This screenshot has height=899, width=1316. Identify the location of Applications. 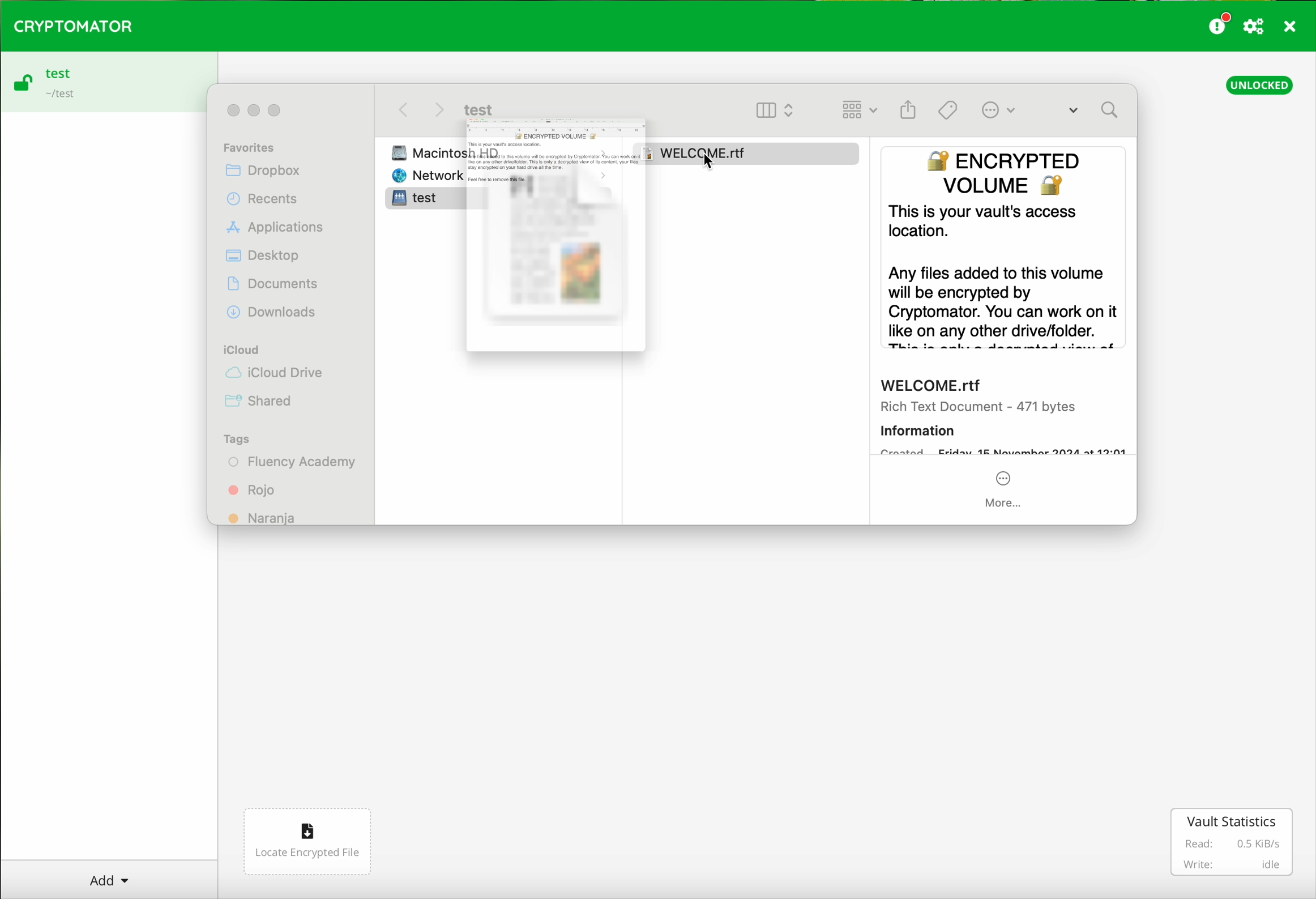
(277, 225).